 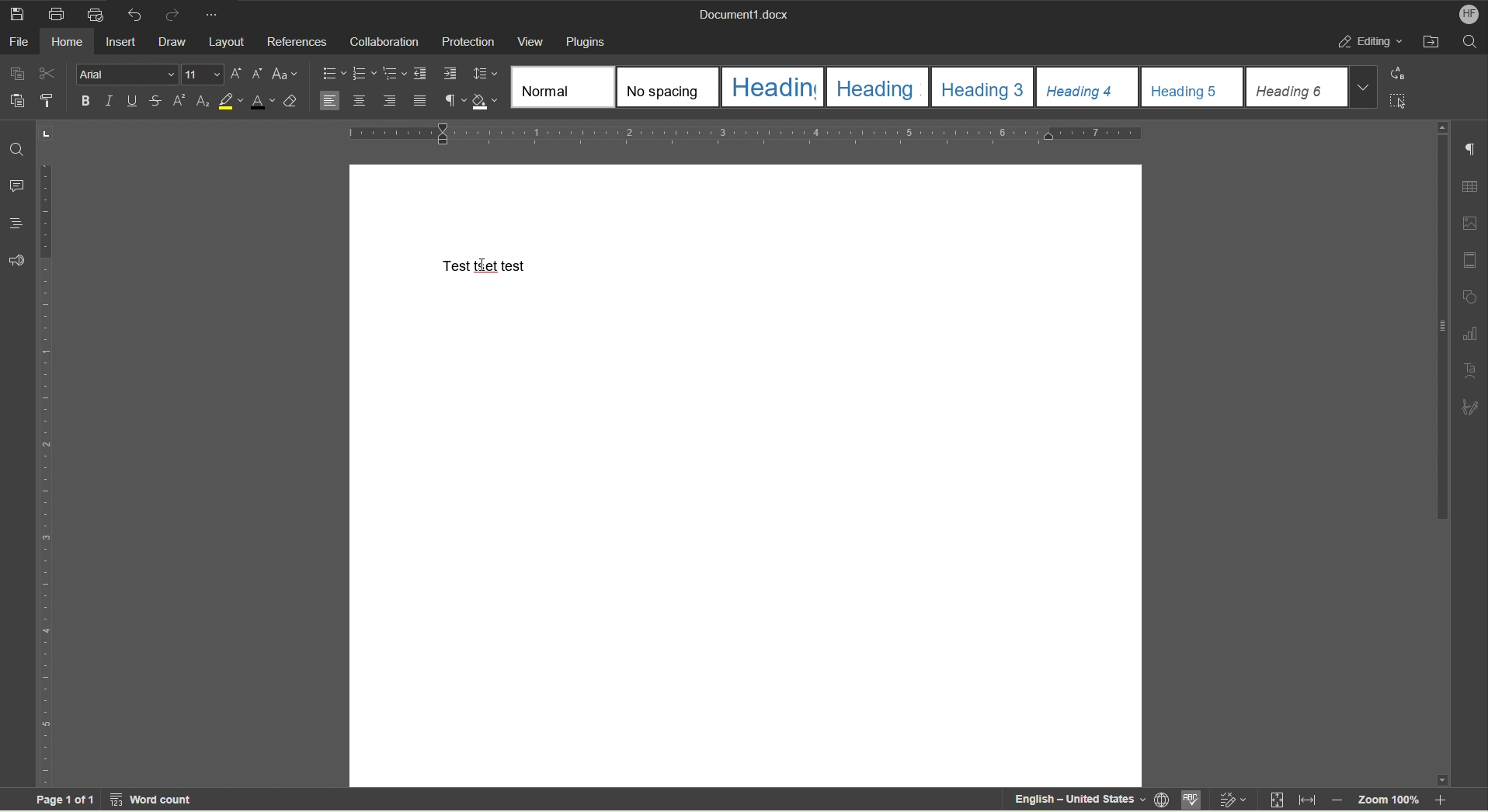 I want to click on Undo, so click(x=131, y=12).